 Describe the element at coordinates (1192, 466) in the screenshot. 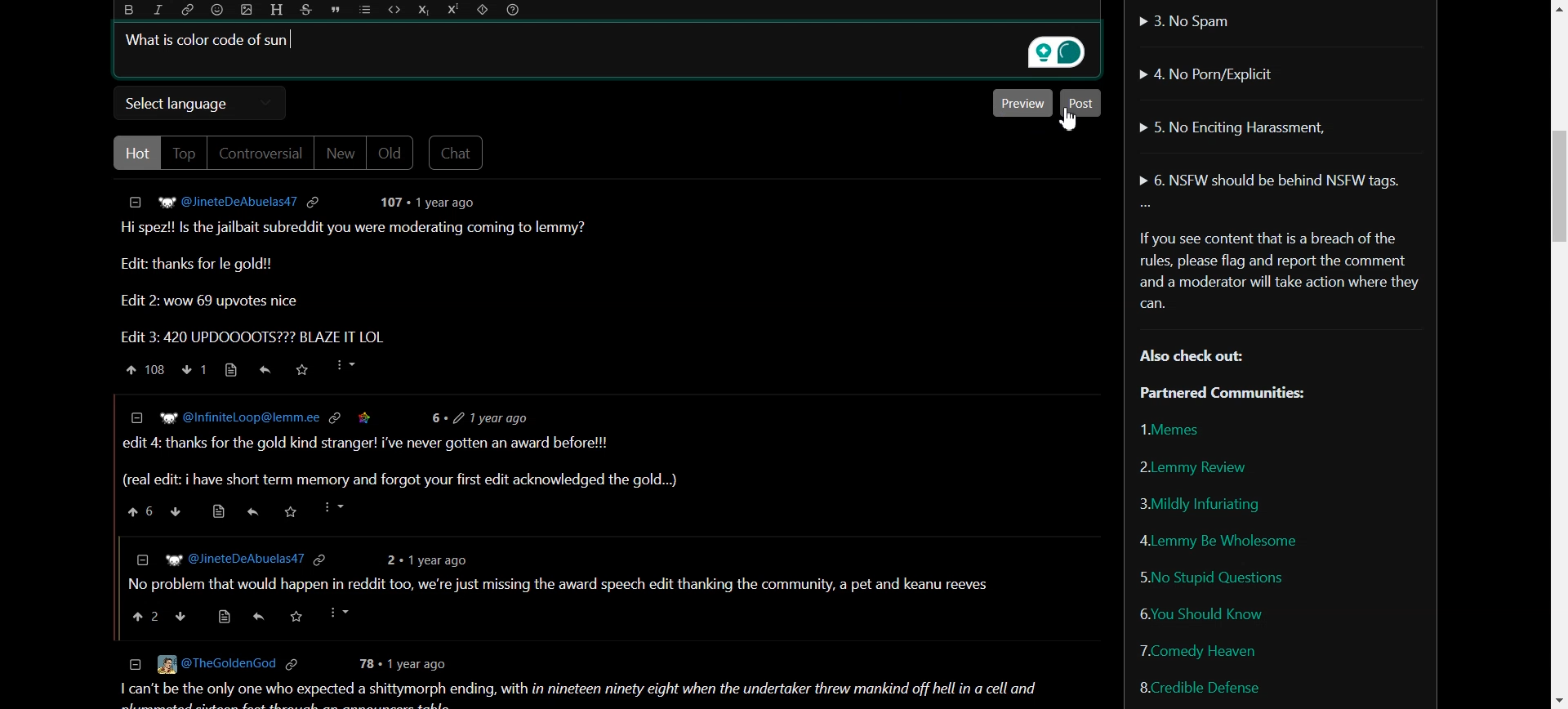

I see `Lemmy Review` at that location.